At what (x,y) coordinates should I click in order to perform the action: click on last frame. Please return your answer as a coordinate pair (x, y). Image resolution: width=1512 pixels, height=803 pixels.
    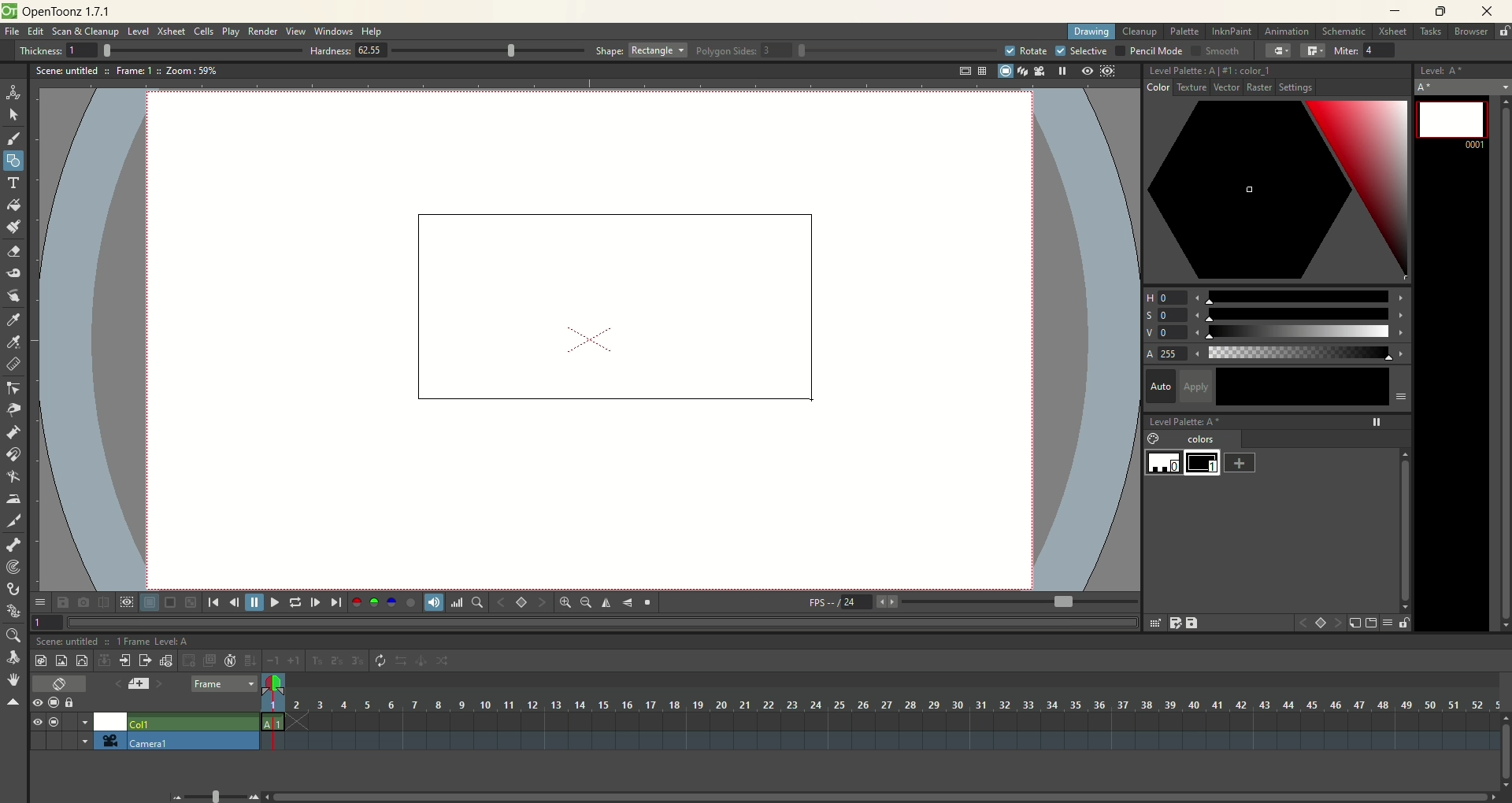
    Looking at the image, I should click on (338, 602).